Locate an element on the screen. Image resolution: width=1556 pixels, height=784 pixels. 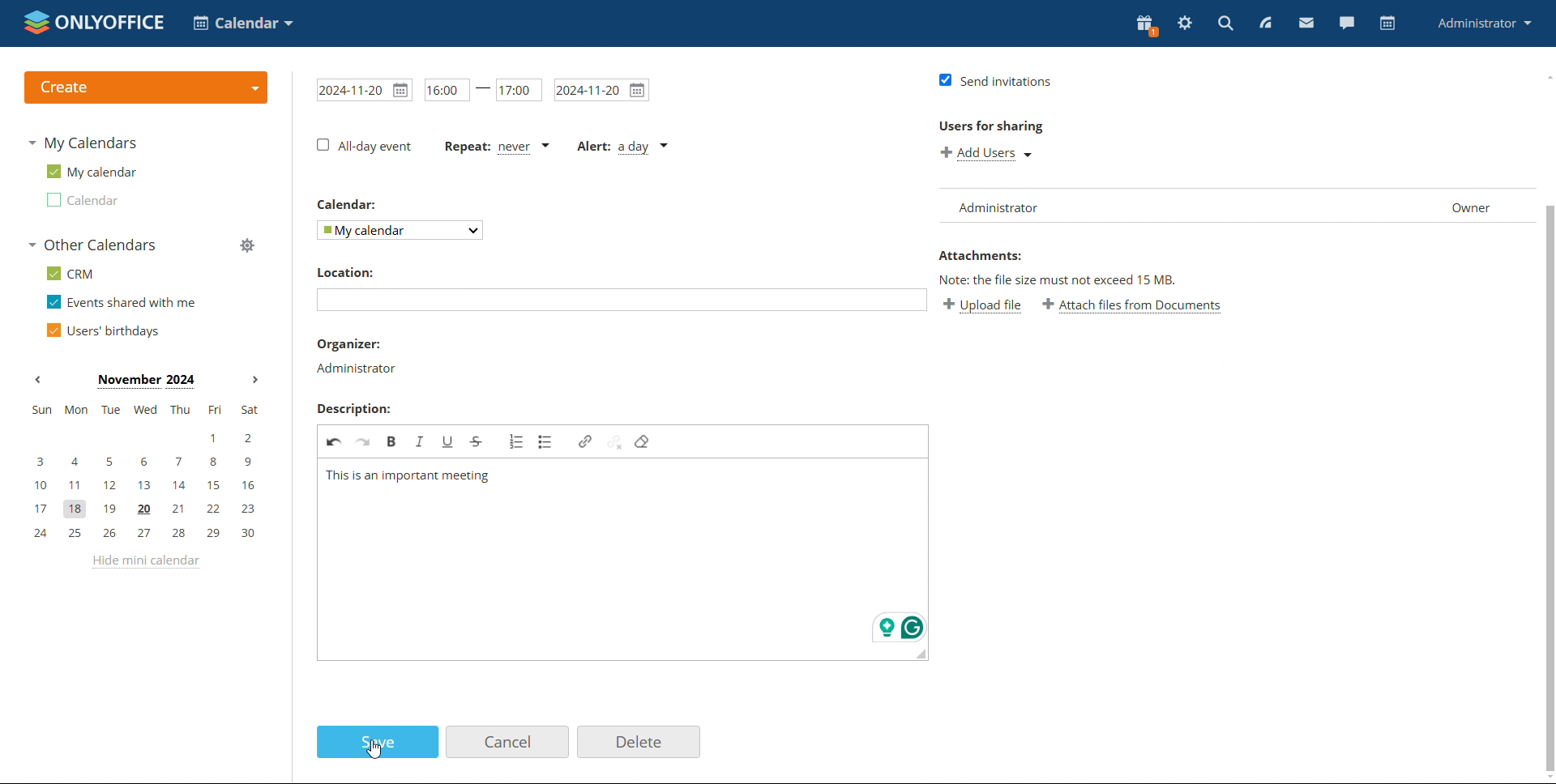
organiser is located at coordinates (347, 343).